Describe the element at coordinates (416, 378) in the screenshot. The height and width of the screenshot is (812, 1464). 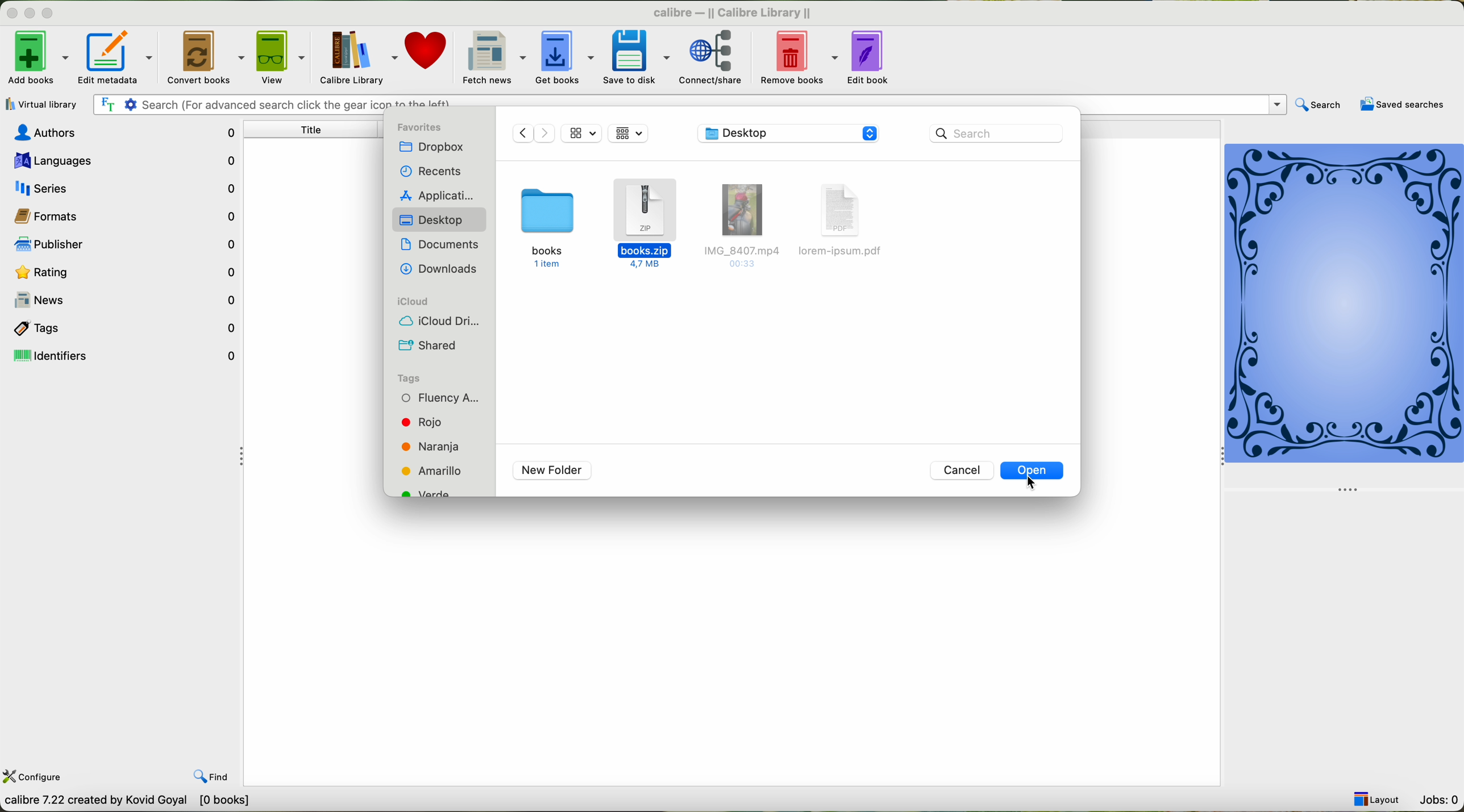
I see `tags` at that location.